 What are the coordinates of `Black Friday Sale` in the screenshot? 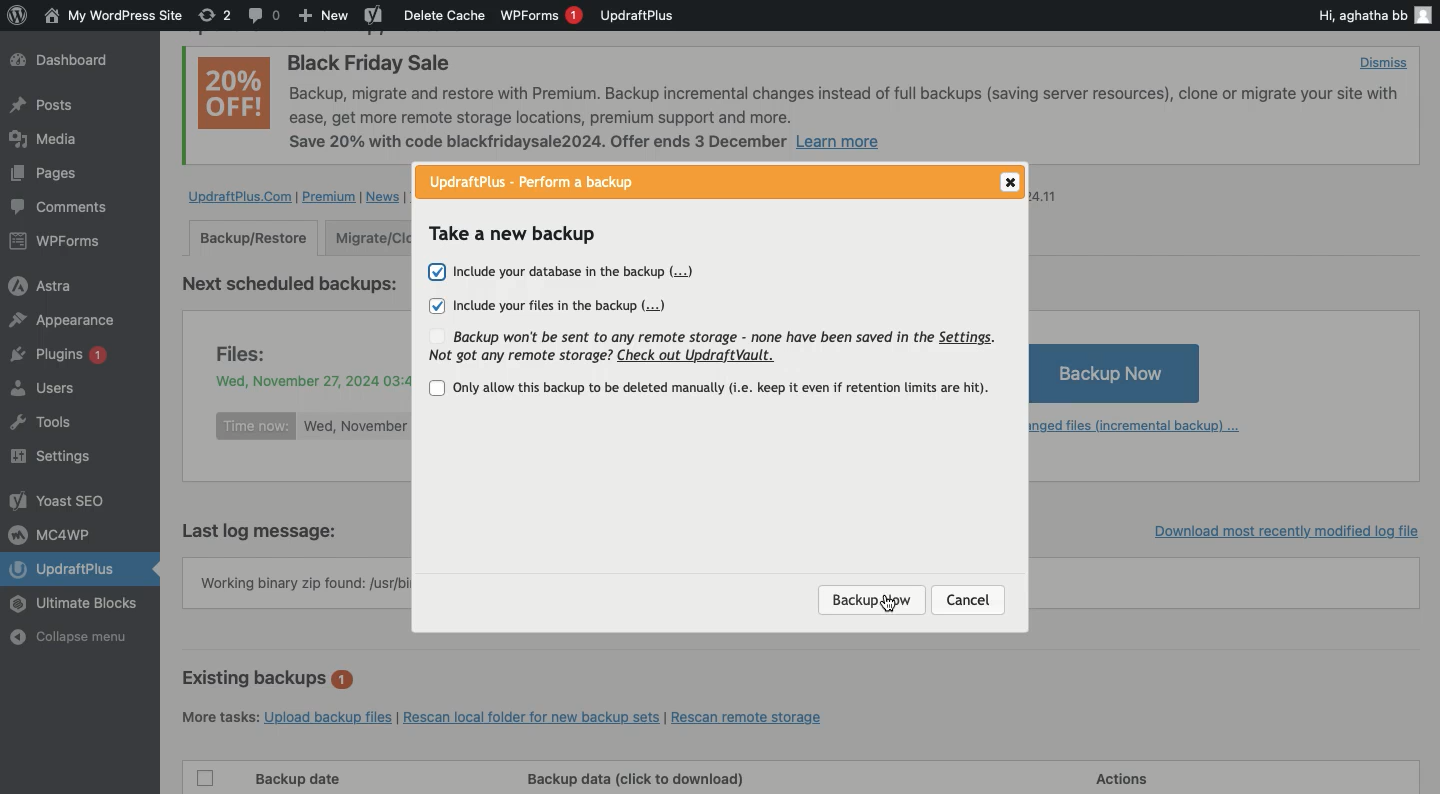 It's located at (371, 65).